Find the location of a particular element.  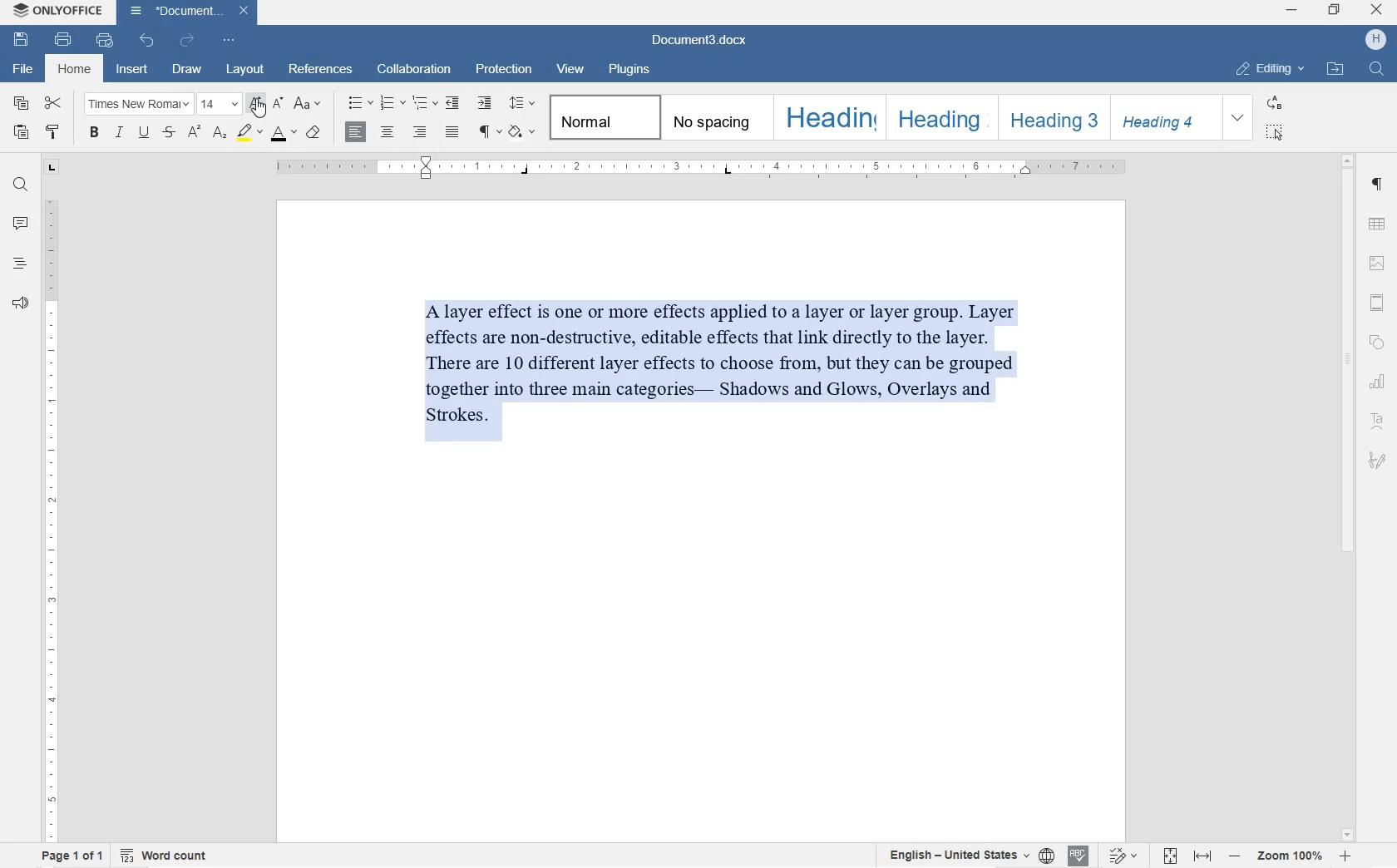

cut is located at coordinates (53, 102).